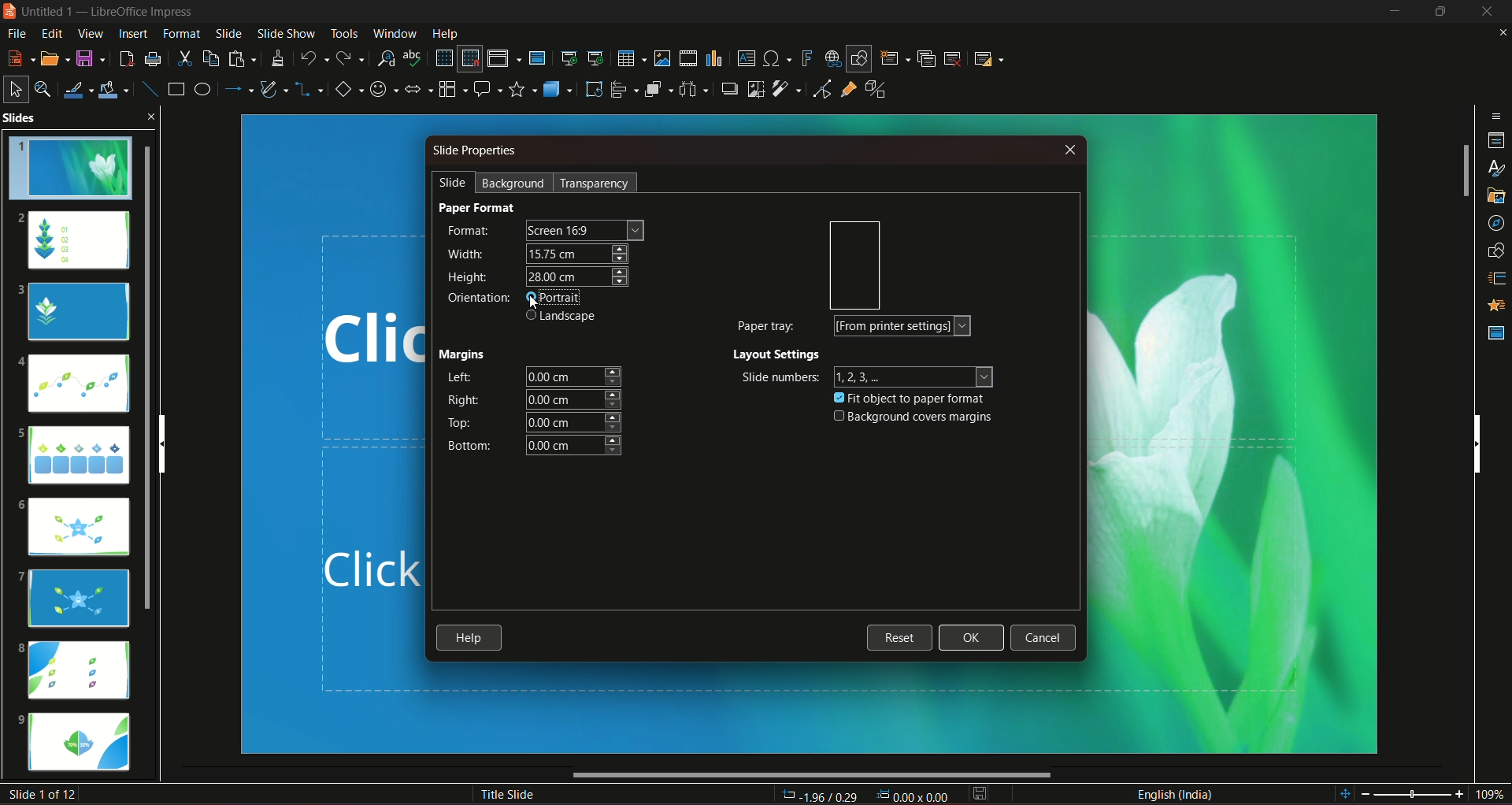 This screenshot has height=805, width=1512. What do you see at coordinates (829, 57) in the screenshot?
I see `insert hyperlink` at bounding box center [829, 57].